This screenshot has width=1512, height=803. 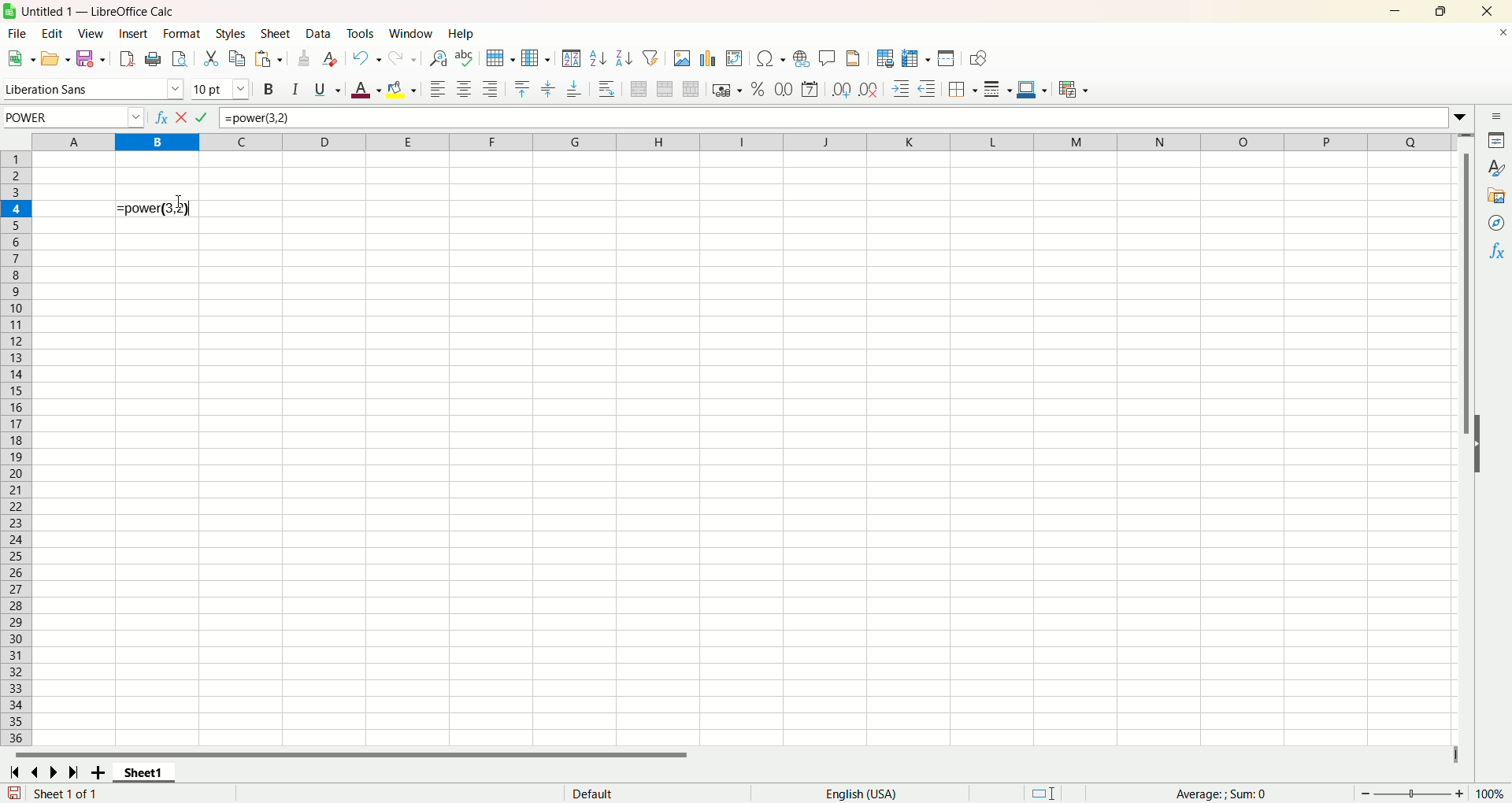 I want to click on close, so click(x=1488, y=12).